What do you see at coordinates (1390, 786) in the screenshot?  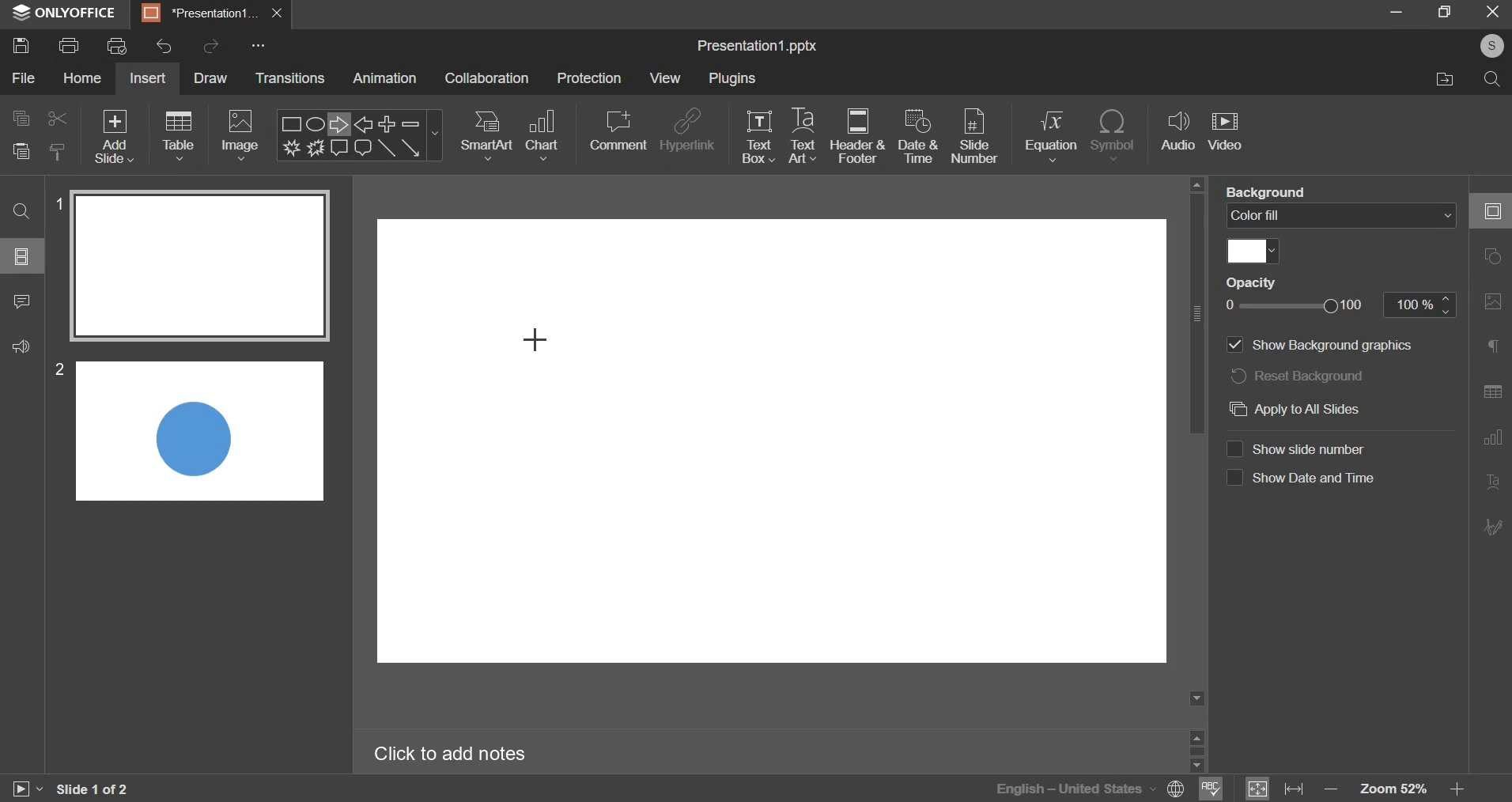 I see `zoom 52%` at bounding box center [1390, 786].